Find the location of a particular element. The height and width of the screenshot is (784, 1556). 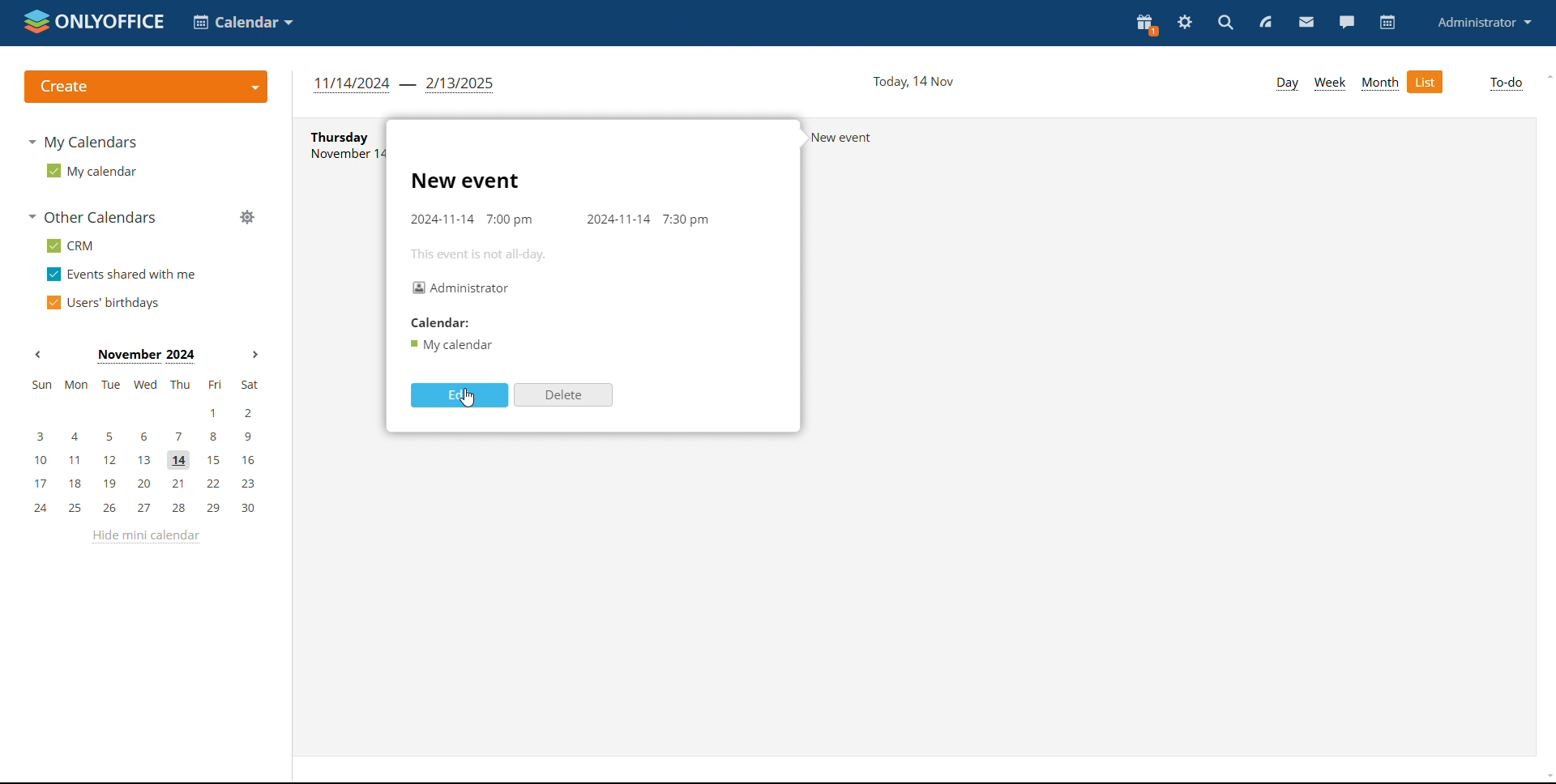

present is located at coordinates (1145, 24).